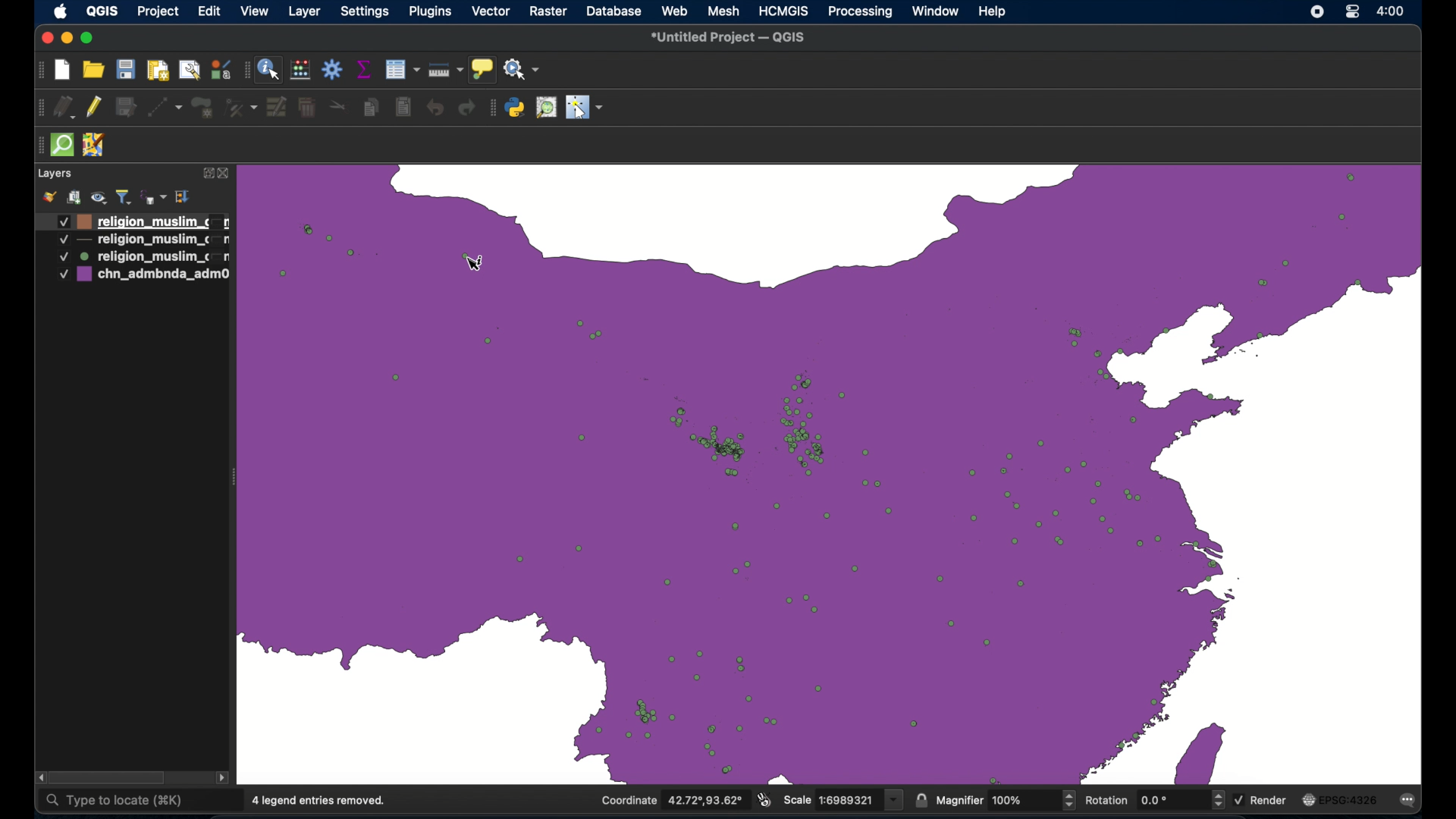 This screenshot has height=819, width=1456. I want to click on delete selected, so click(309, 105).